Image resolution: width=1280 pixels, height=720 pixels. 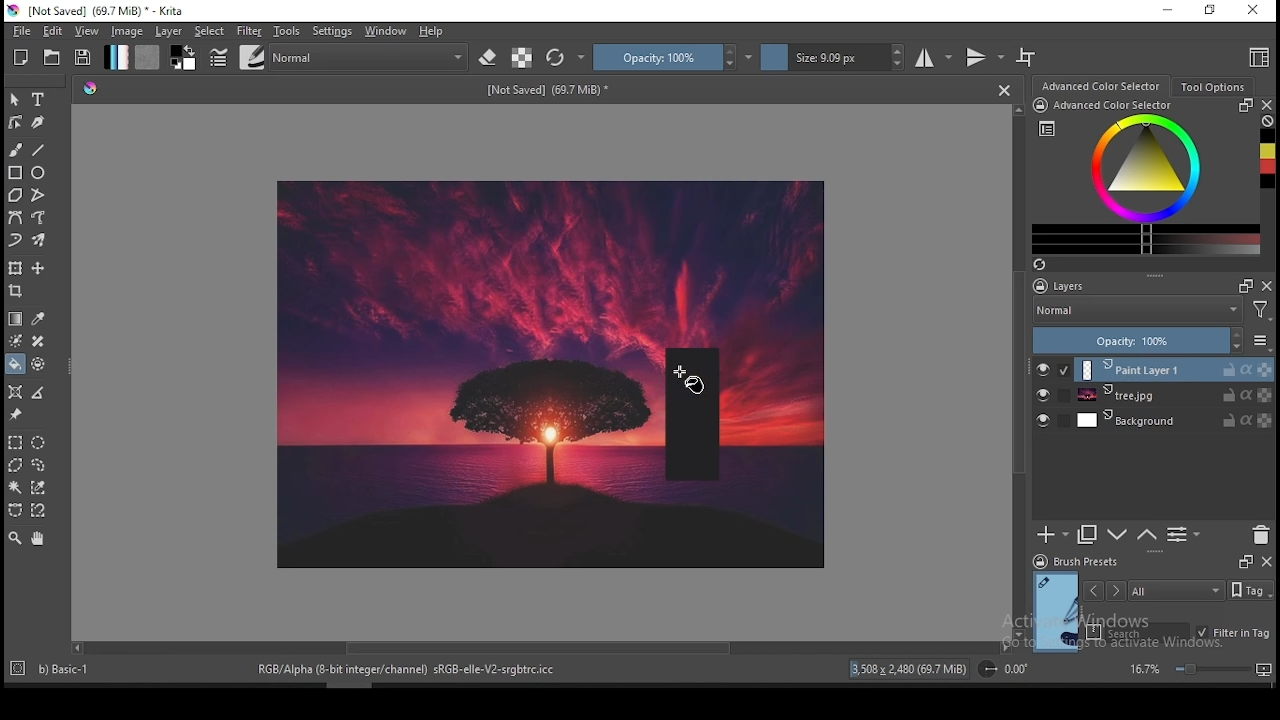 What do you see at coordinates (16, 415) in the screenshot?
I see `reference images tool` at bounding box center [16, 415].